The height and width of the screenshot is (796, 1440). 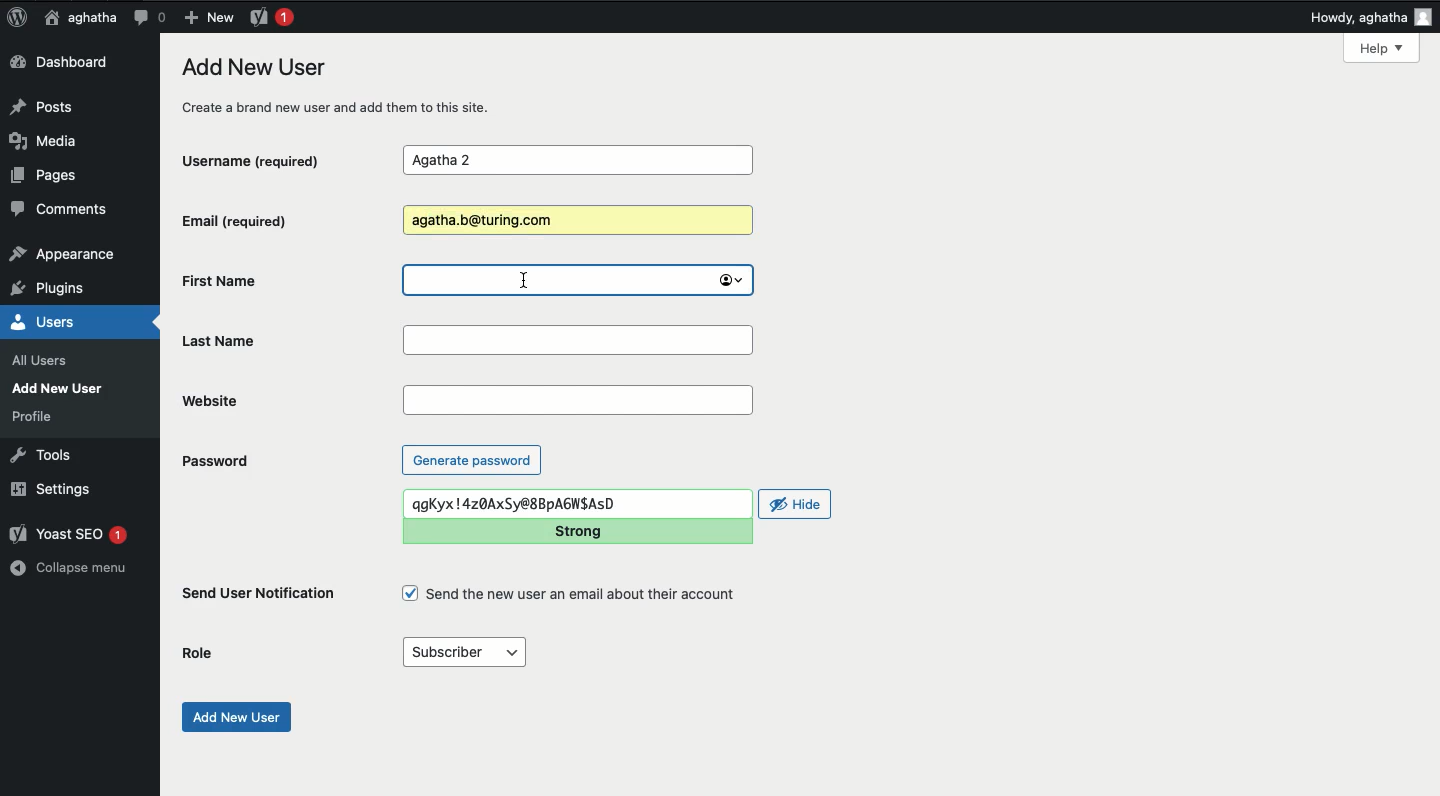 I want to click on all users, so click(x=45, y=361).